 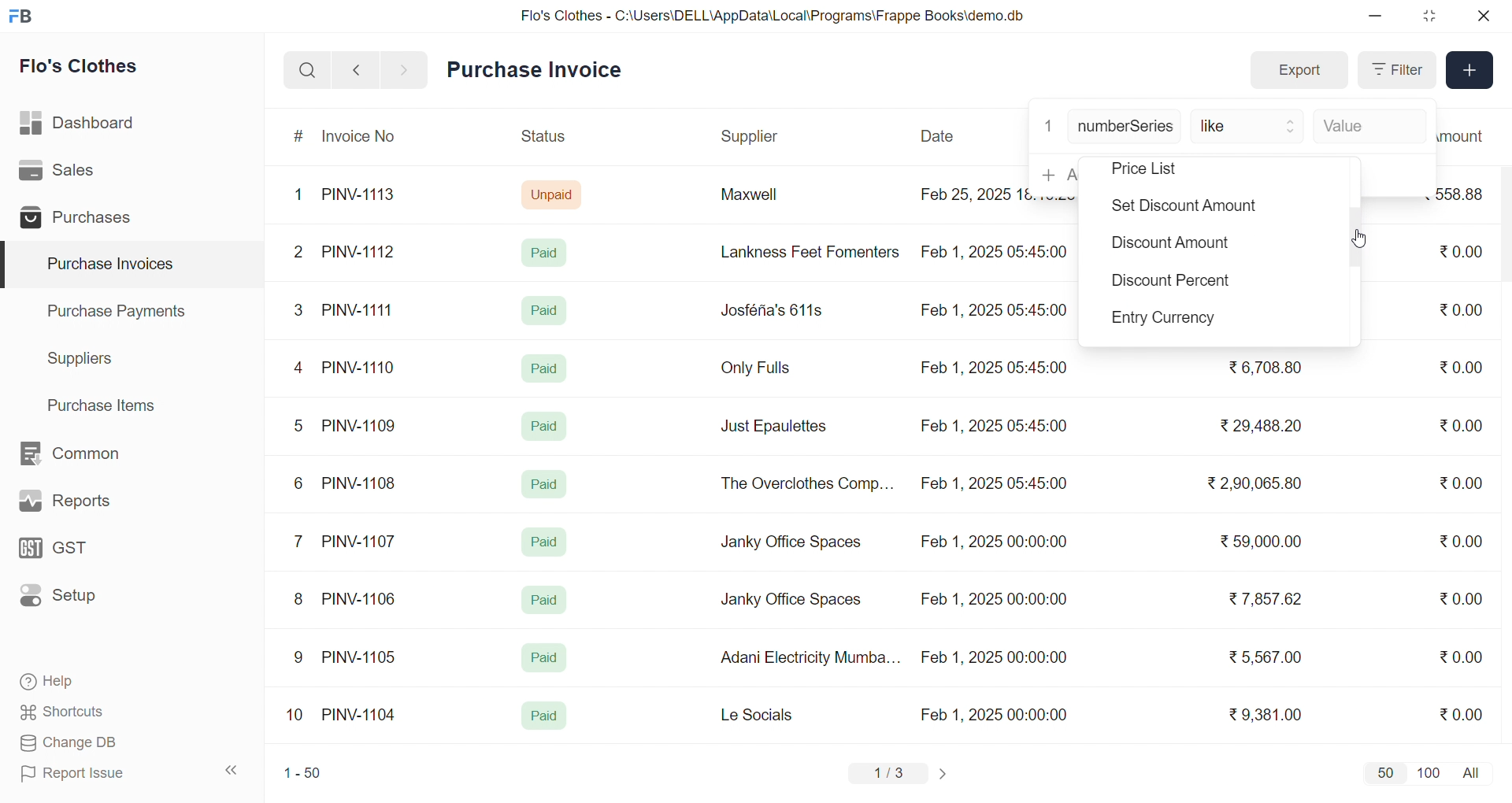 What do you see at coordinates (1429, 16) in the screenshot?
I see `resize` at bounding box center [1429, 16].